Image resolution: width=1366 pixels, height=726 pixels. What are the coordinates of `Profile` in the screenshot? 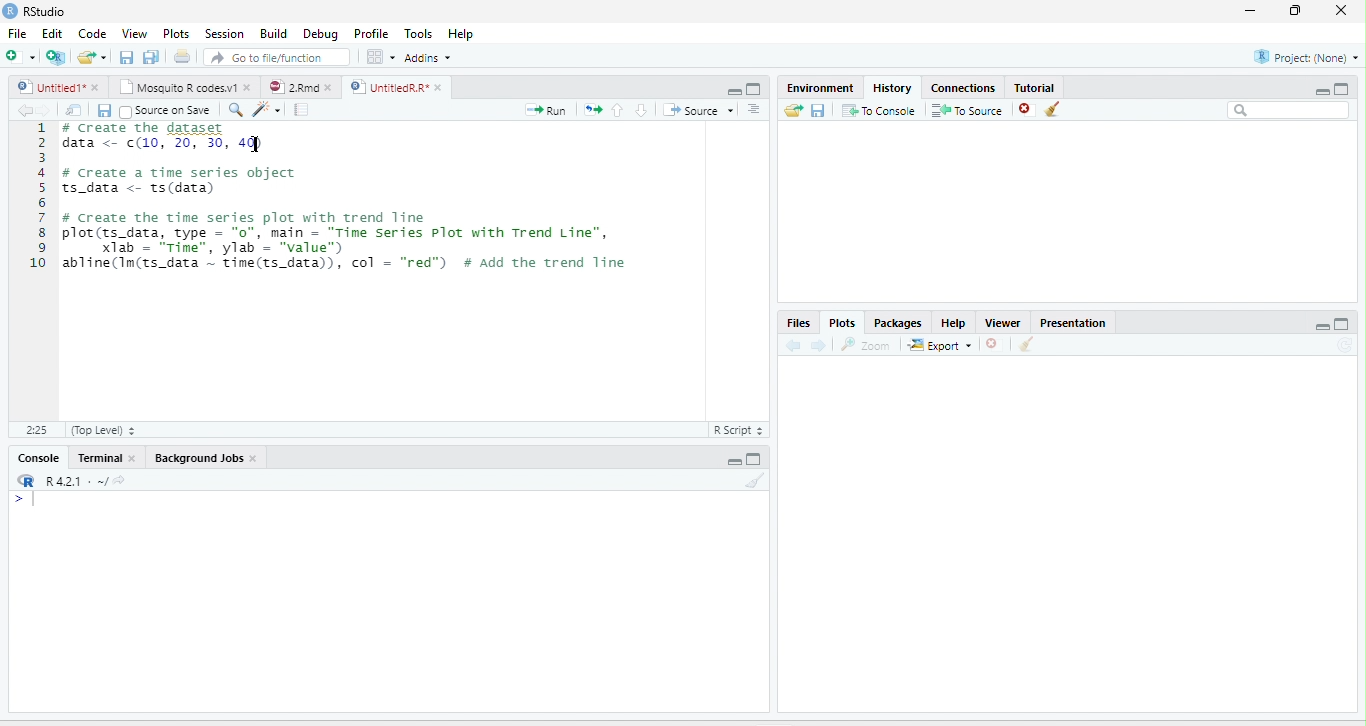 It's located at (369, 34).